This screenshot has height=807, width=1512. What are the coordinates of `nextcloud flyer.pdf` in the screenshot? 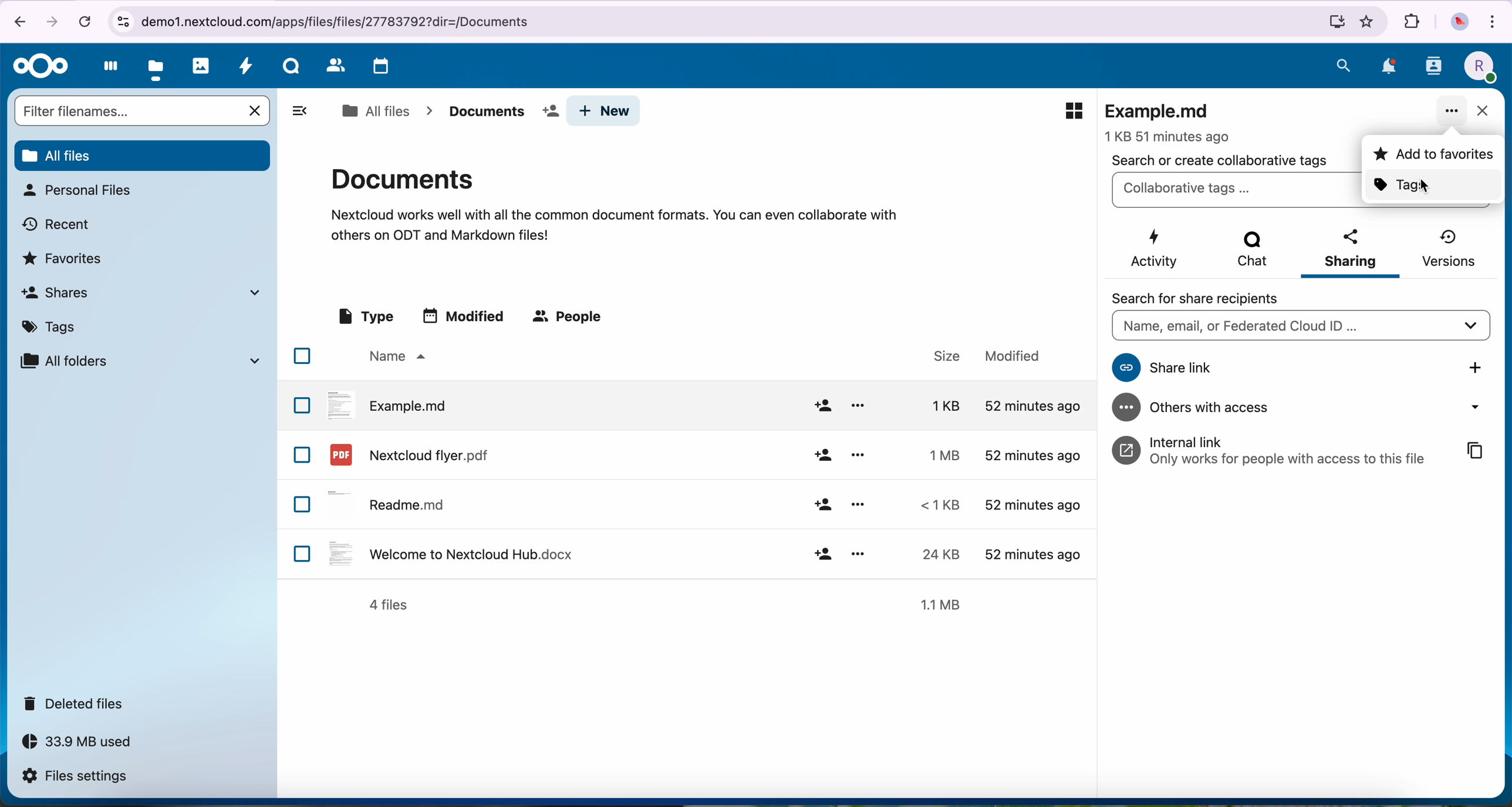 It's located at (407, 454).